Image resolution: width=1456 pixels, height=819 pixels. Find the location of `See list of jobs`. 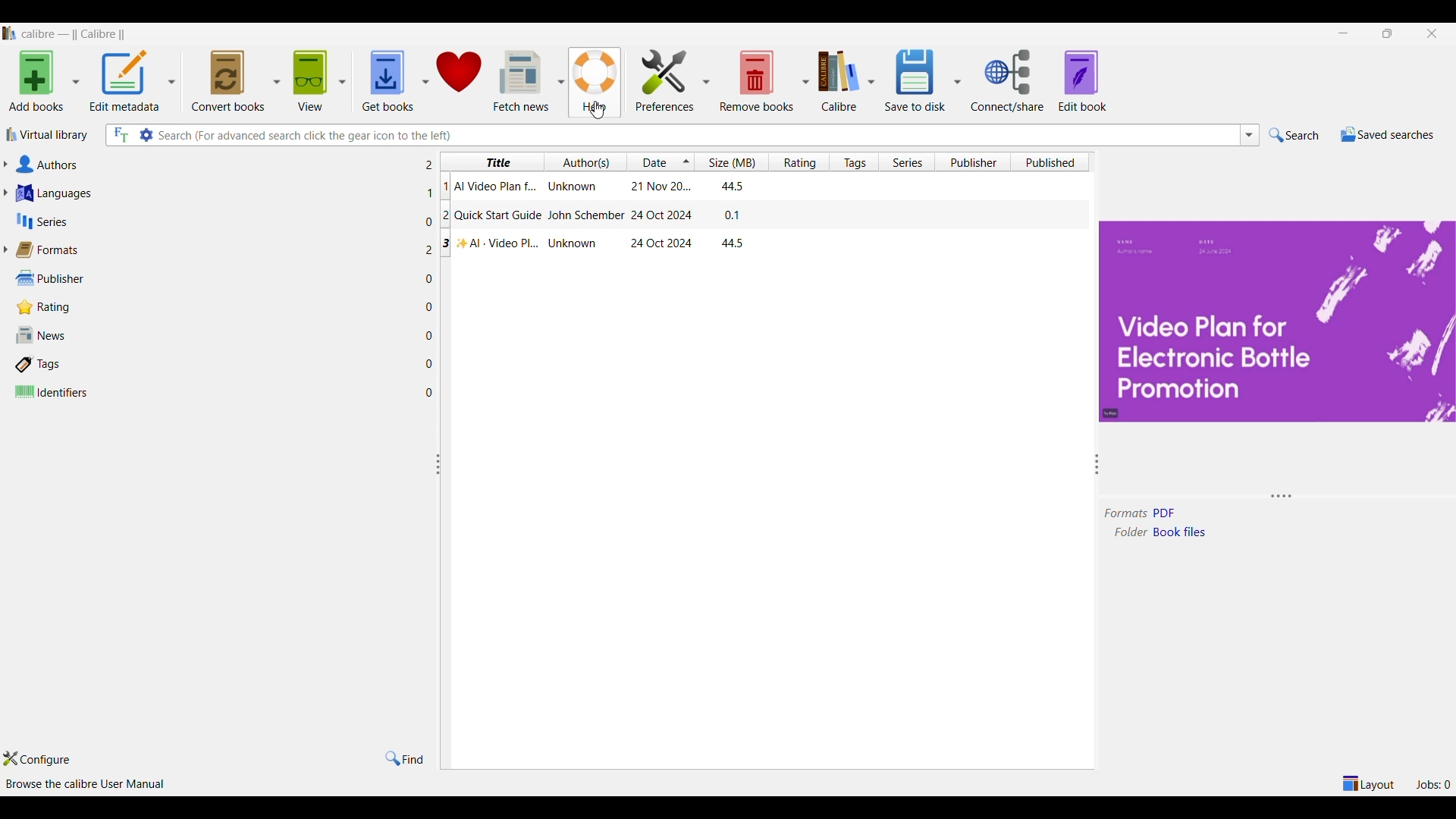

See list of jobs is located at coordinates (1433, 785).